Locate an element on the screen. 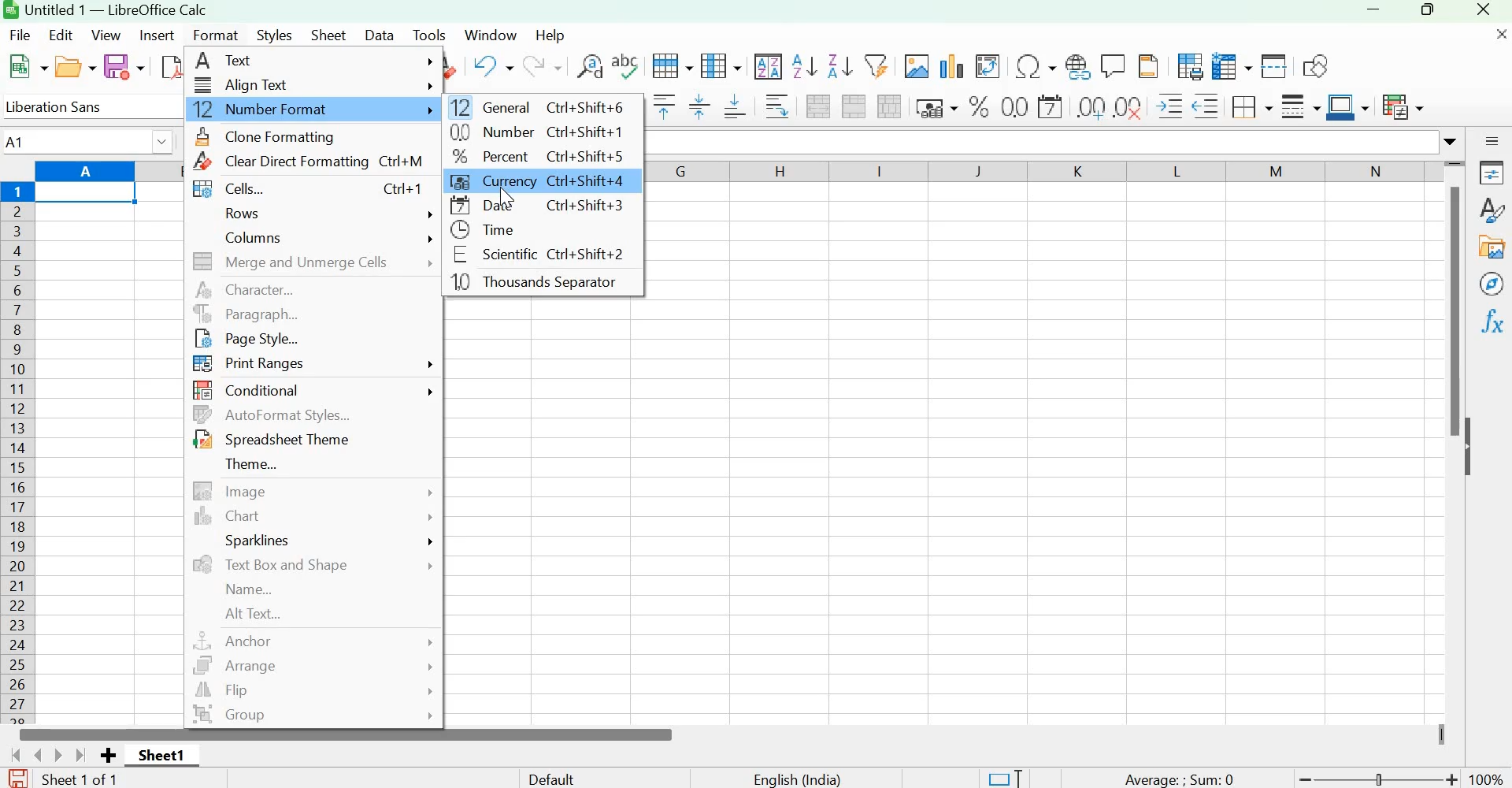  Number Format is located at coordinates (311, 108).